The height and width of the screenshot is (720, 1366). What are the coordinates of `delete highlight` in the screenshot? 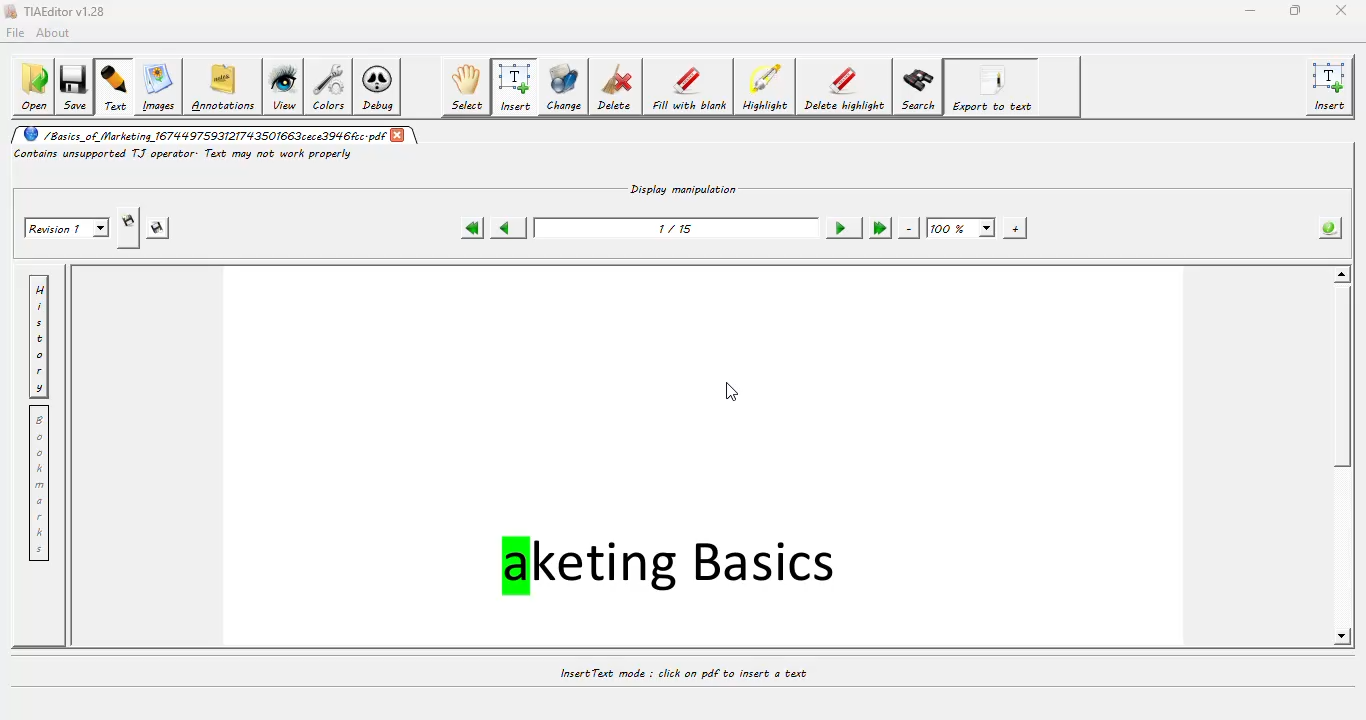 It's located at (845, 87).